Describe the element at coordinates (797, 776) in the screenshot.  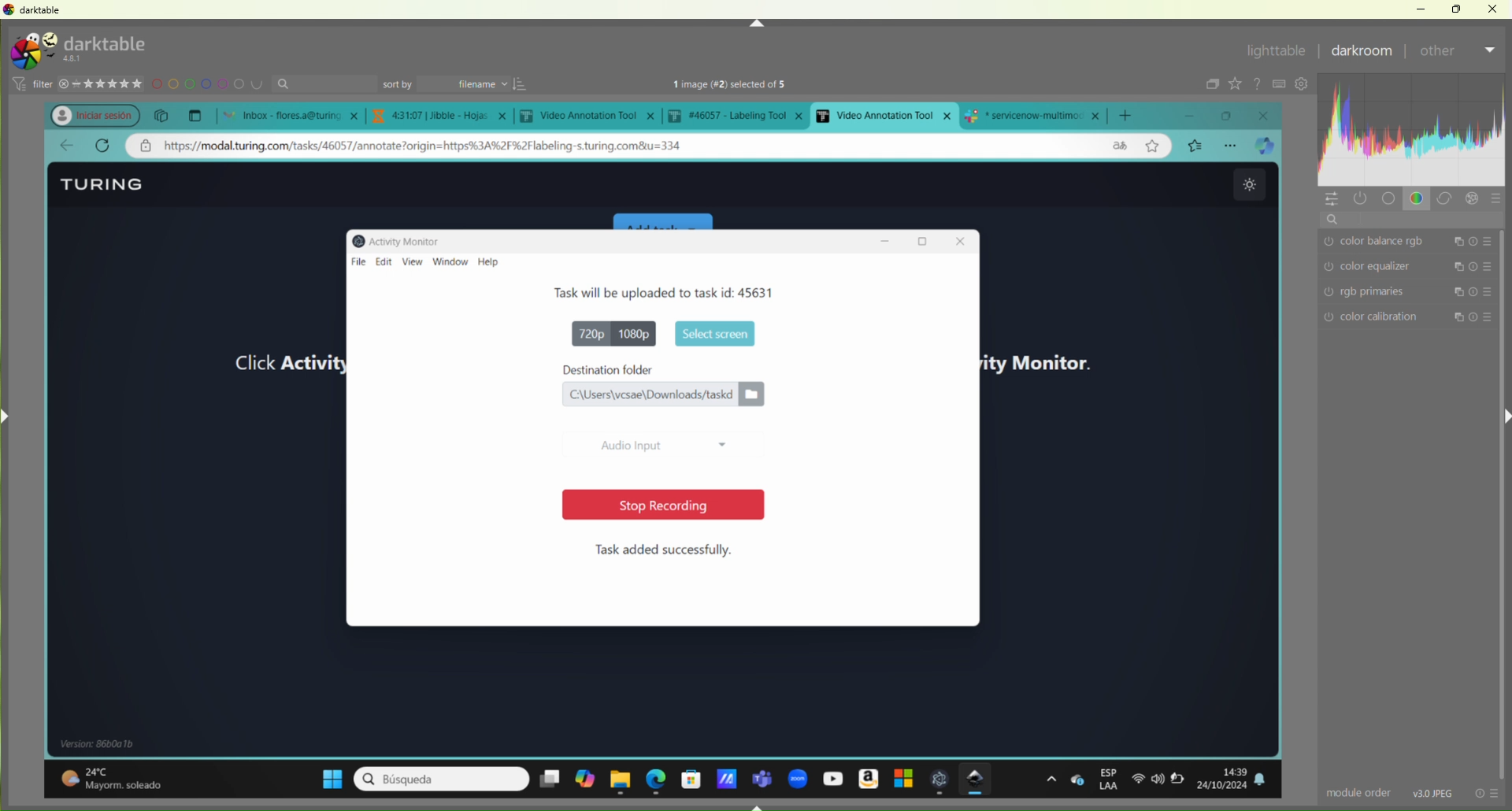
I see `zoom` at that location.